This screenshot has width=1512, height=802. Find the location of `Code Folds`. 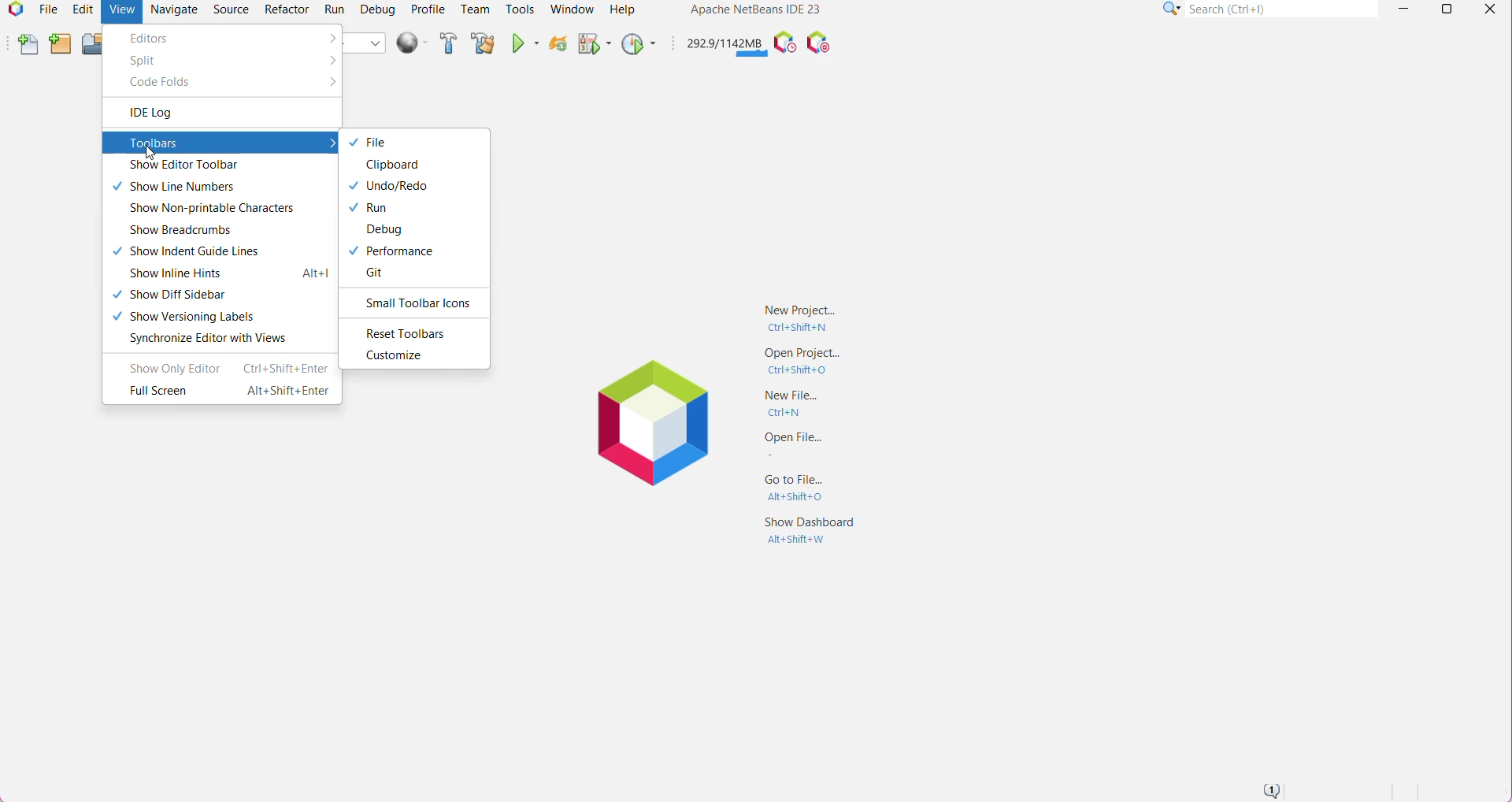

Code Folds is located at coordinates (161, 84).